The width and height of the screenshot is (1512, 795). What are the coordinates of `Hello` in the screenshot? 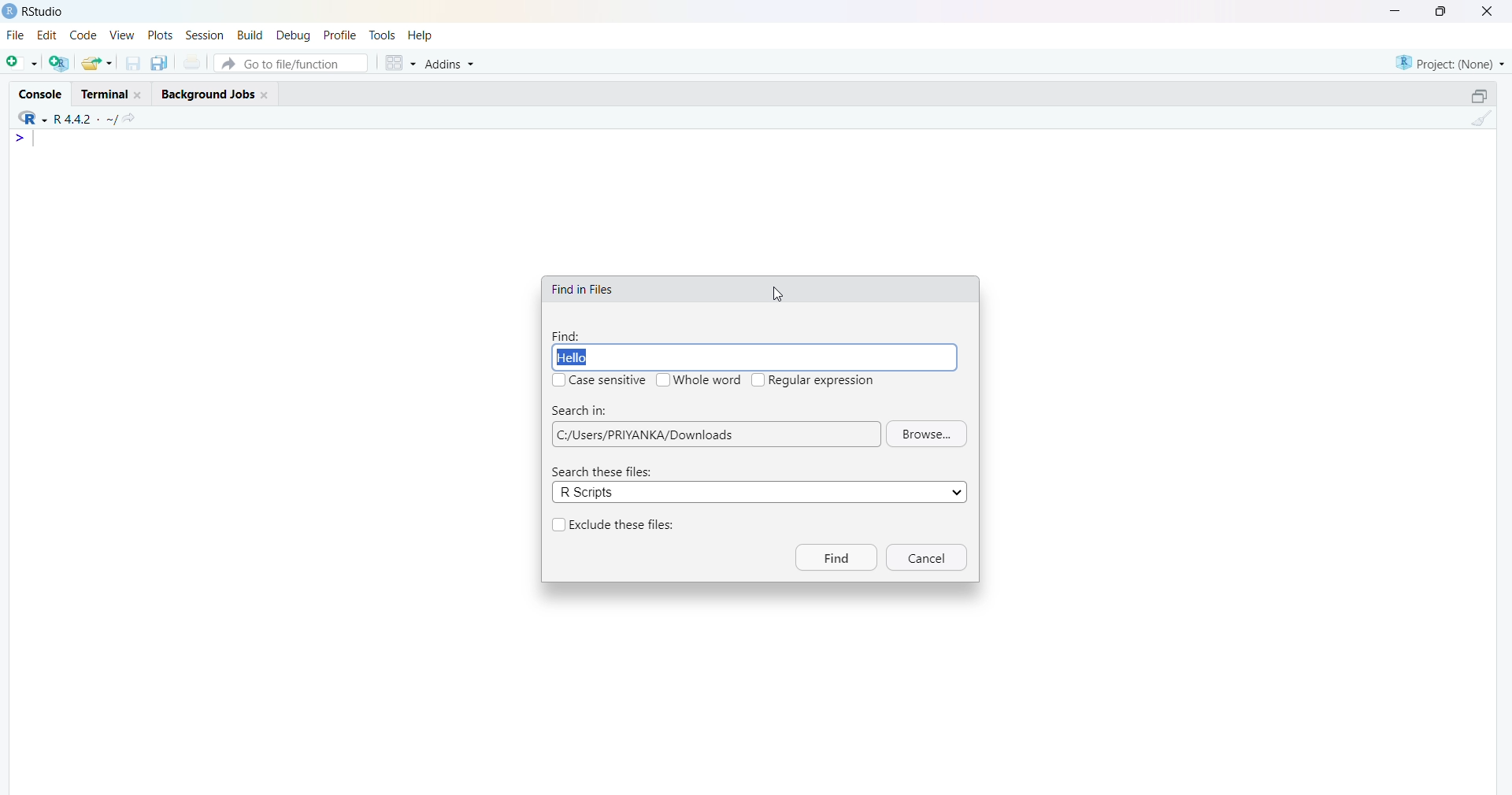 It's located at (754, 357).